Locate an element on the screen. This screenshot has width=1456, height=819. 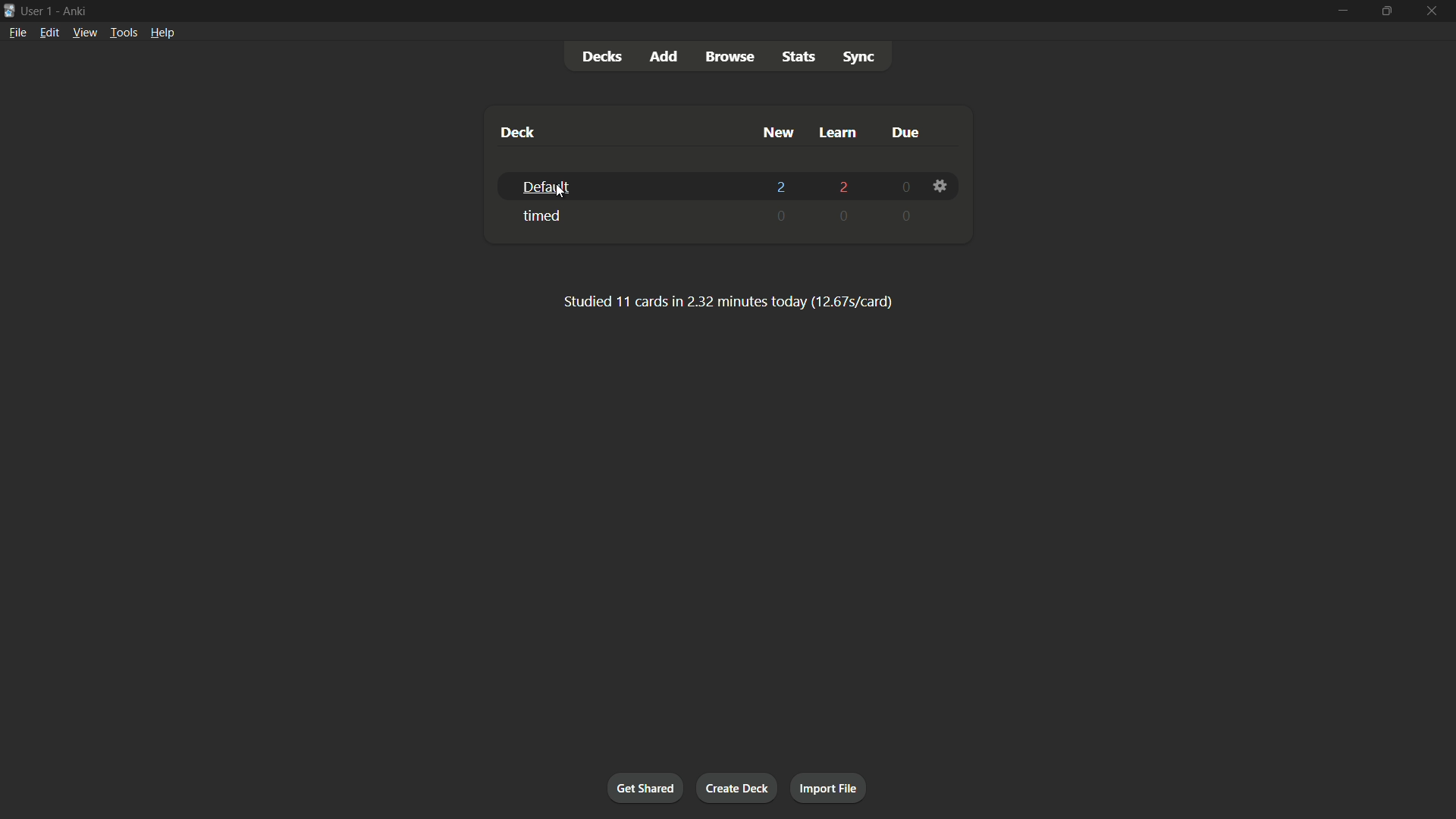
default is located at coordinates (544, 188).